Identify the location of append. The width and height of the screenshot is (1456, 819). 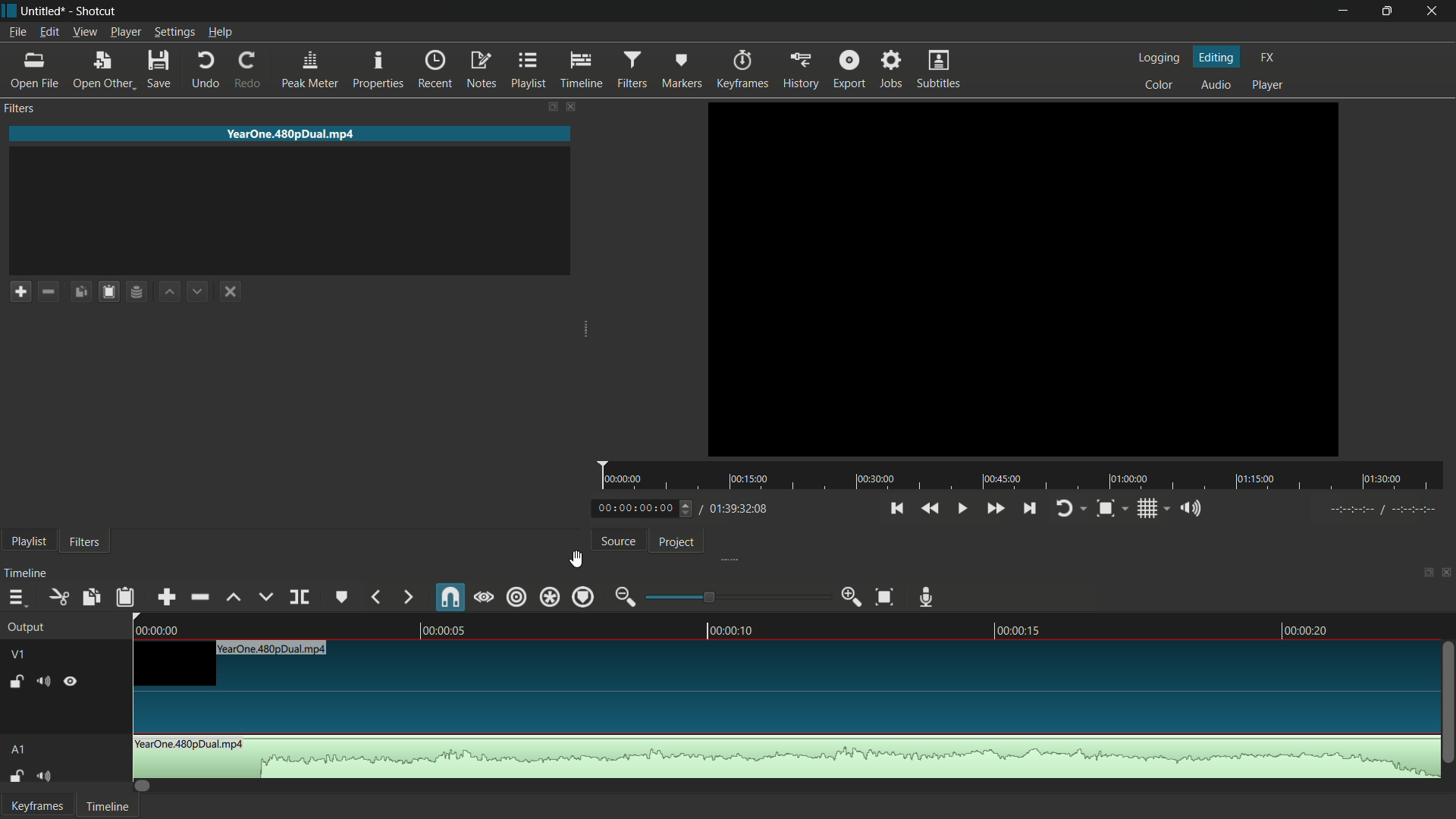
(166, 598).